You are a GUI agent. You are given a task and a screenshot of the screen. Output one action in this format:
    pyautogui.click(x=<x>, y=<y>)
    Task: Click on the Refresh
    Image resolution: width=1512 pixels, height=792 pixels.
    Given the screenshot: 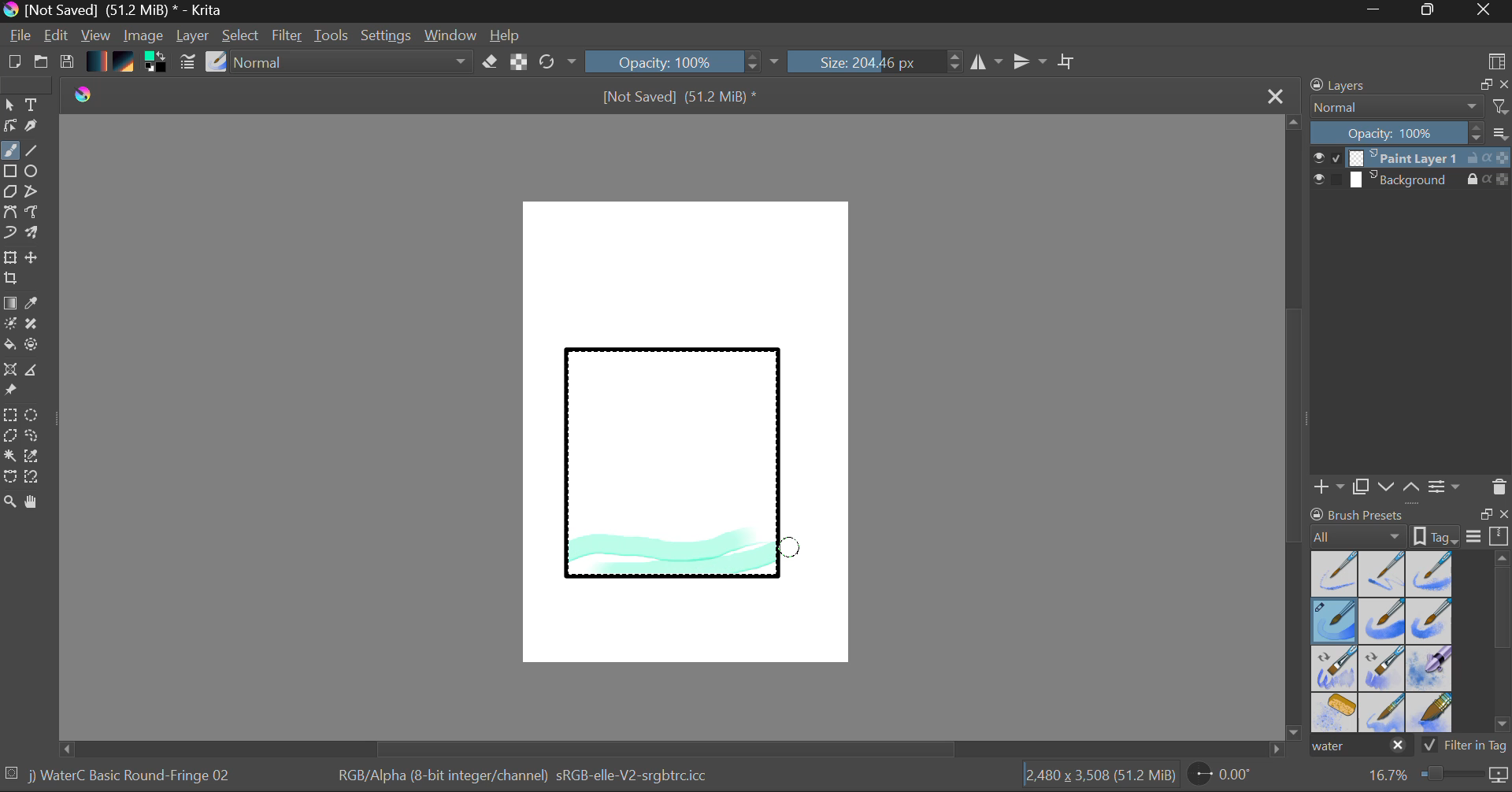 What is the action you would take?
    pyautogui.click(x=558, y=61)
    